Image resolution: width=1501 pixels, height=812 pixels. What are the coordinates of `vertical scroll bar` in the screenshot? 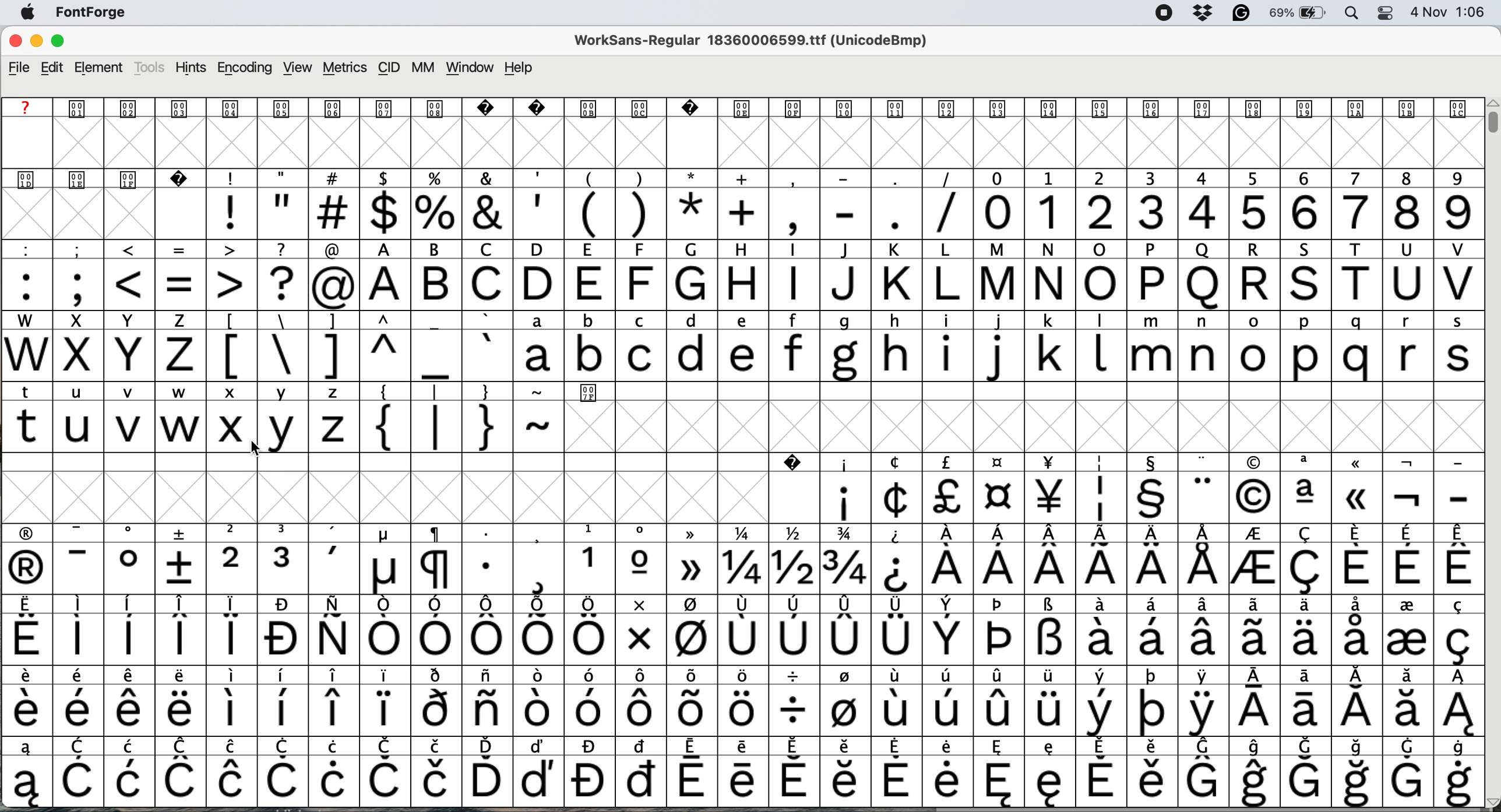 It's located at (1490, 122).